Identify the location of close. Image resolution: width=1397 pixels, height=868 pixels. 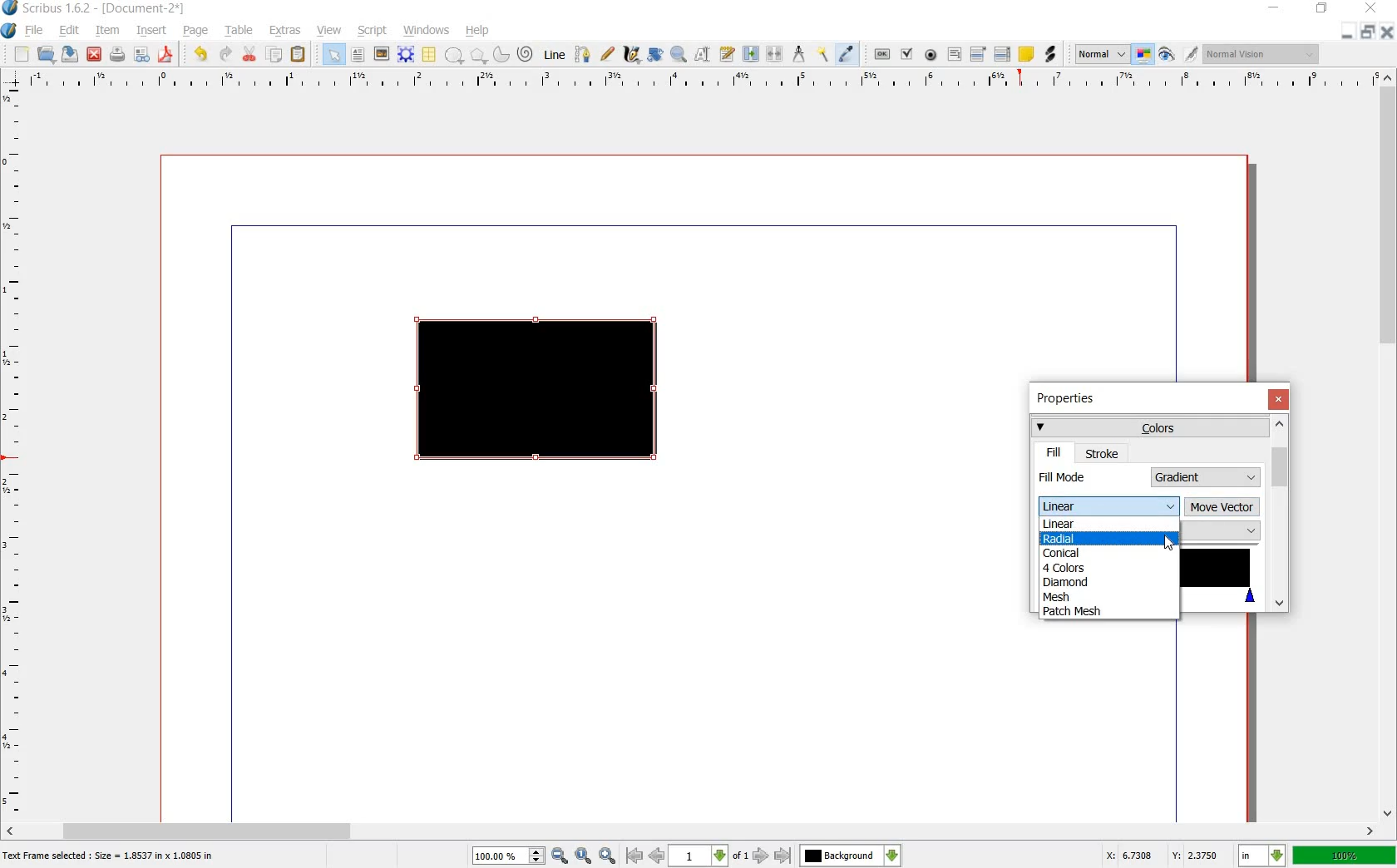
(96, 54).